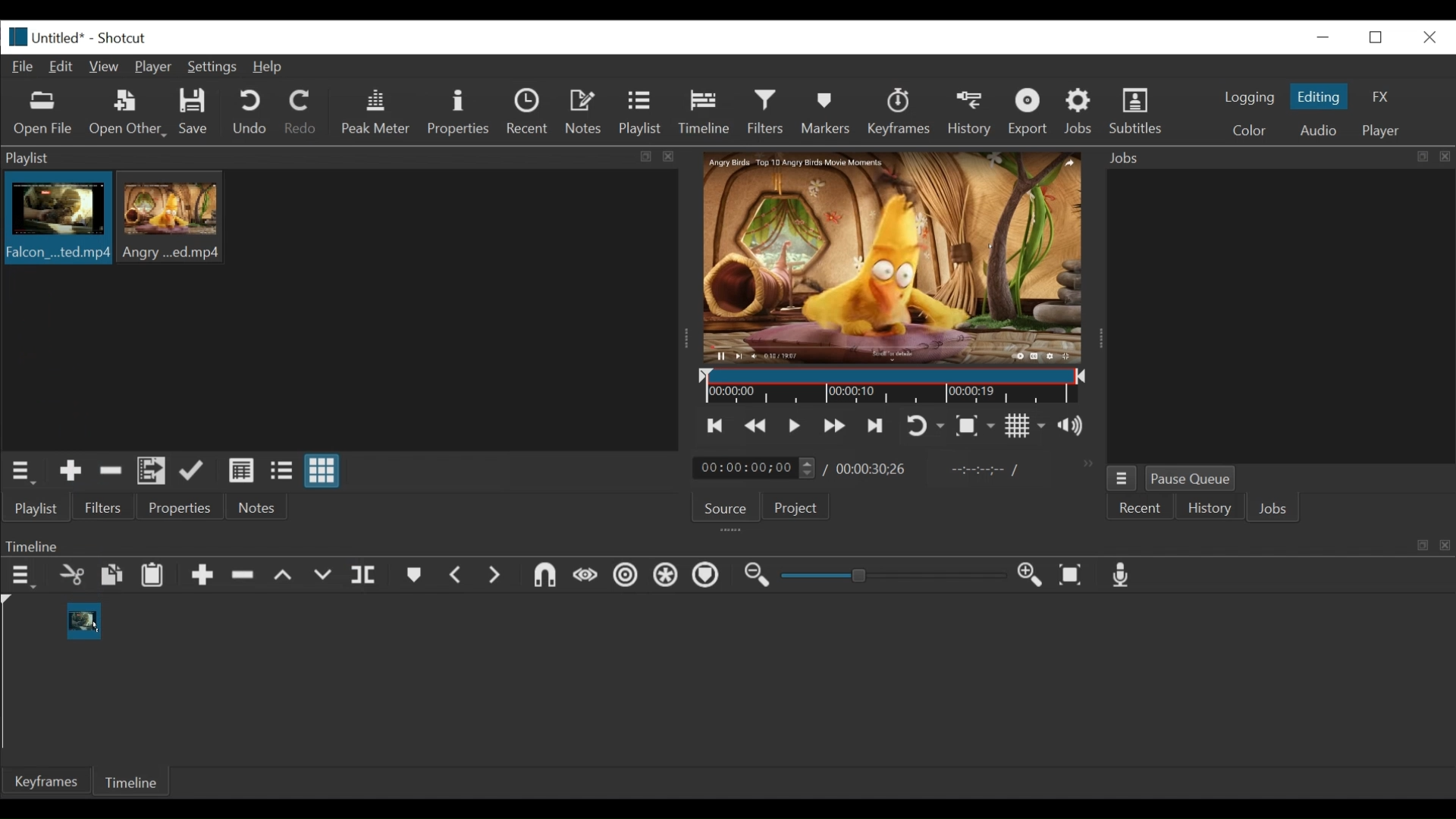 The image size is (1456, 819). Describe the element at coordinates (202, 579) in the screenshot. I see `Append` at that location.